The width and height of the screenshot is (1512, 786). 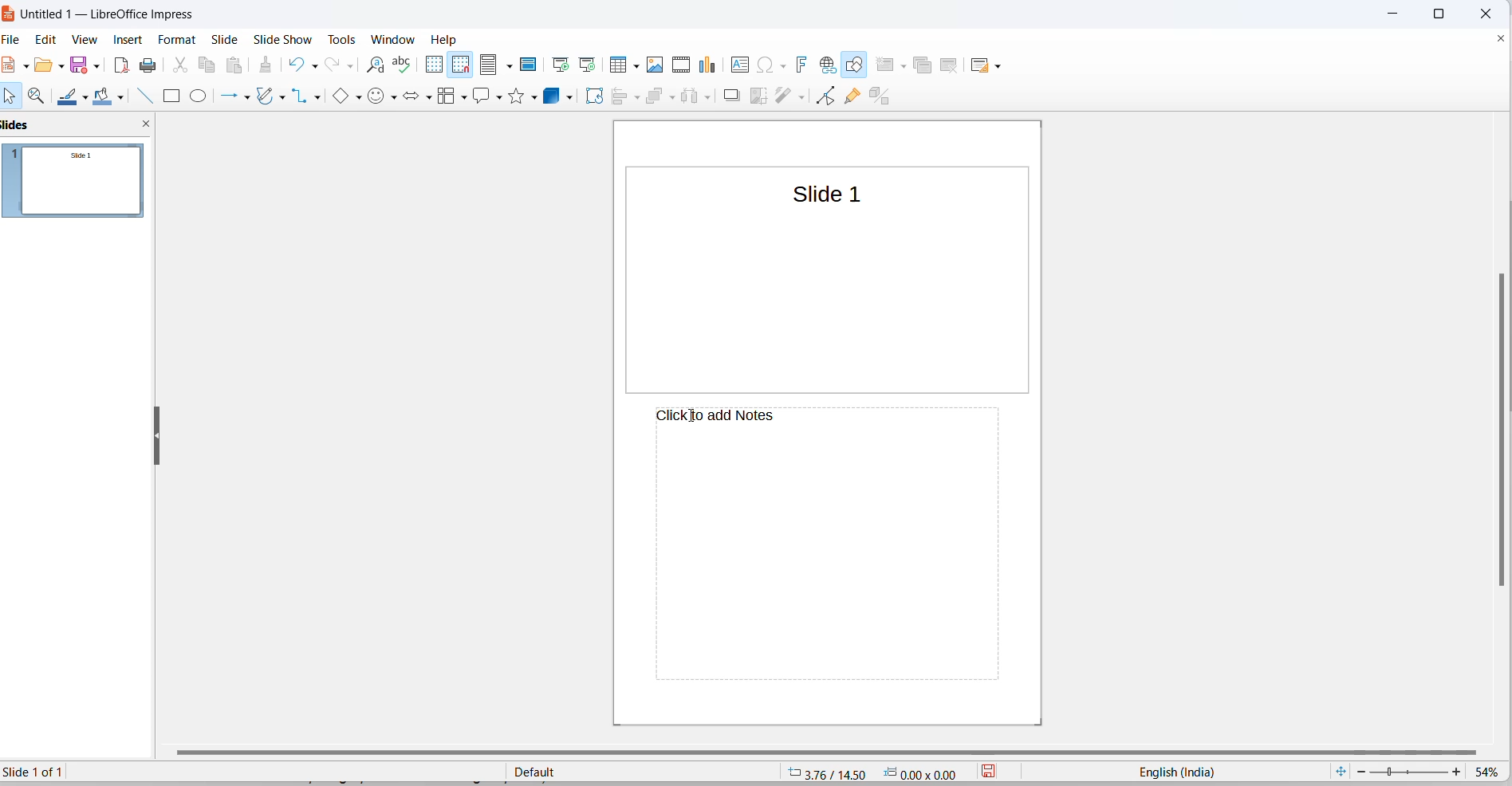 I want to click on insert, so click(x=130, y=41).